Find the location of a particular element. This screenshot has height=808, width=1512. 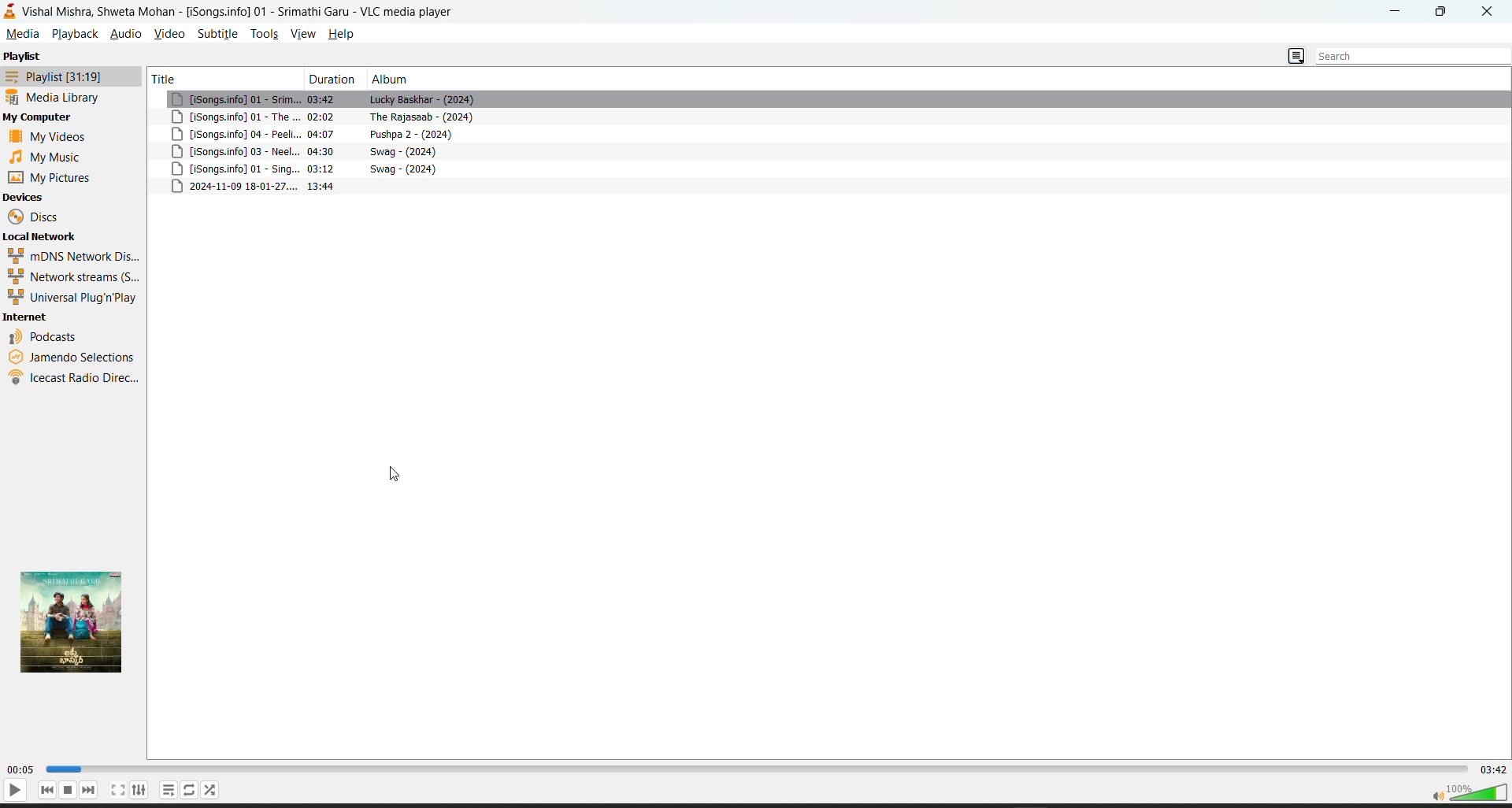

change playlist view is located at coordinates (1297, 55).